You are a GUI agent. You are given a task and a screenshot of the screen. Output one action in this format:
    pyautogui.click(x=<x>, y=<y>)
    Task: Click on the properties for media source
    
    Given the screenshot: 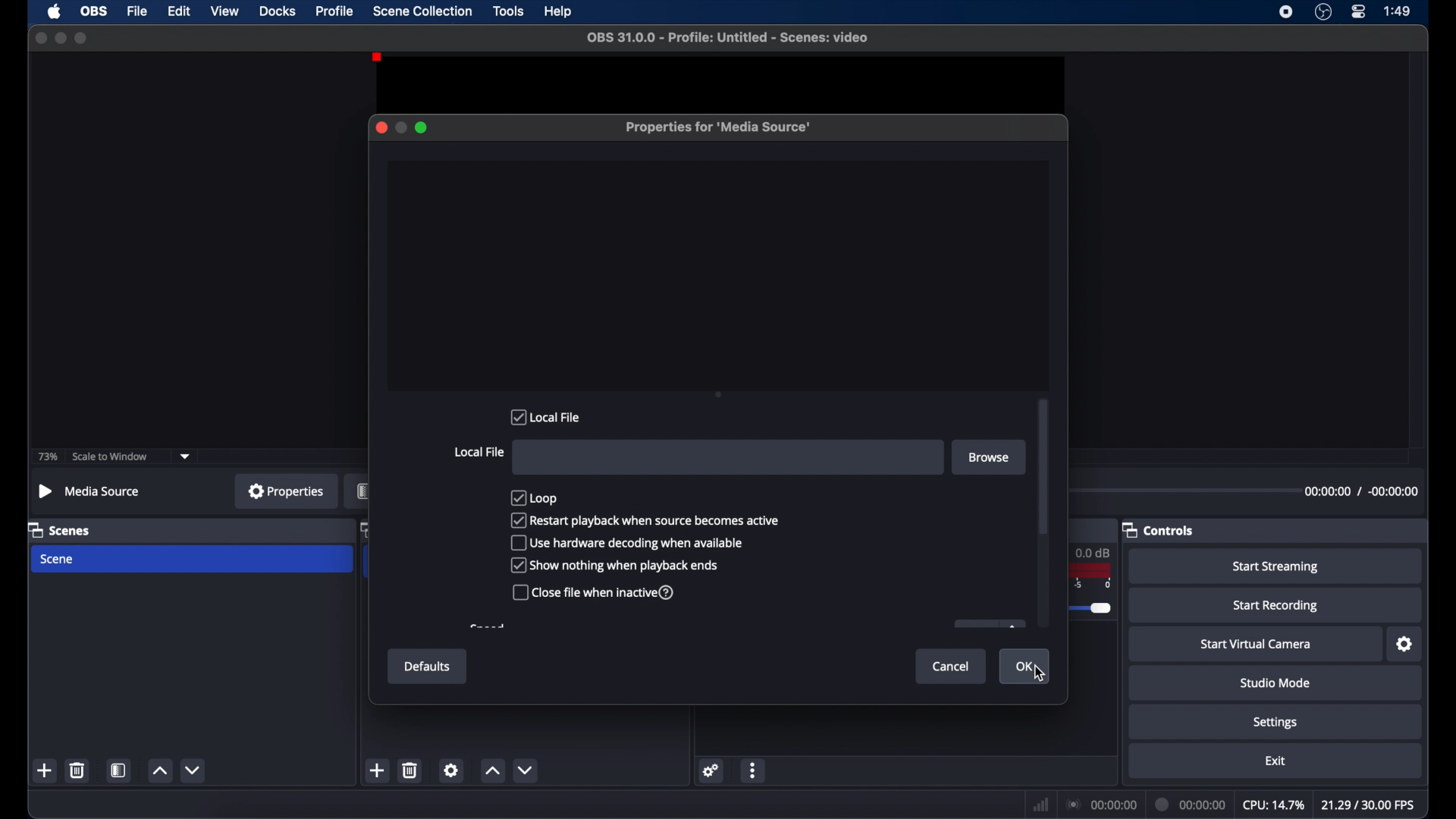 What is the action you would take?
    pyautogui.click(x=718, y=127)
    